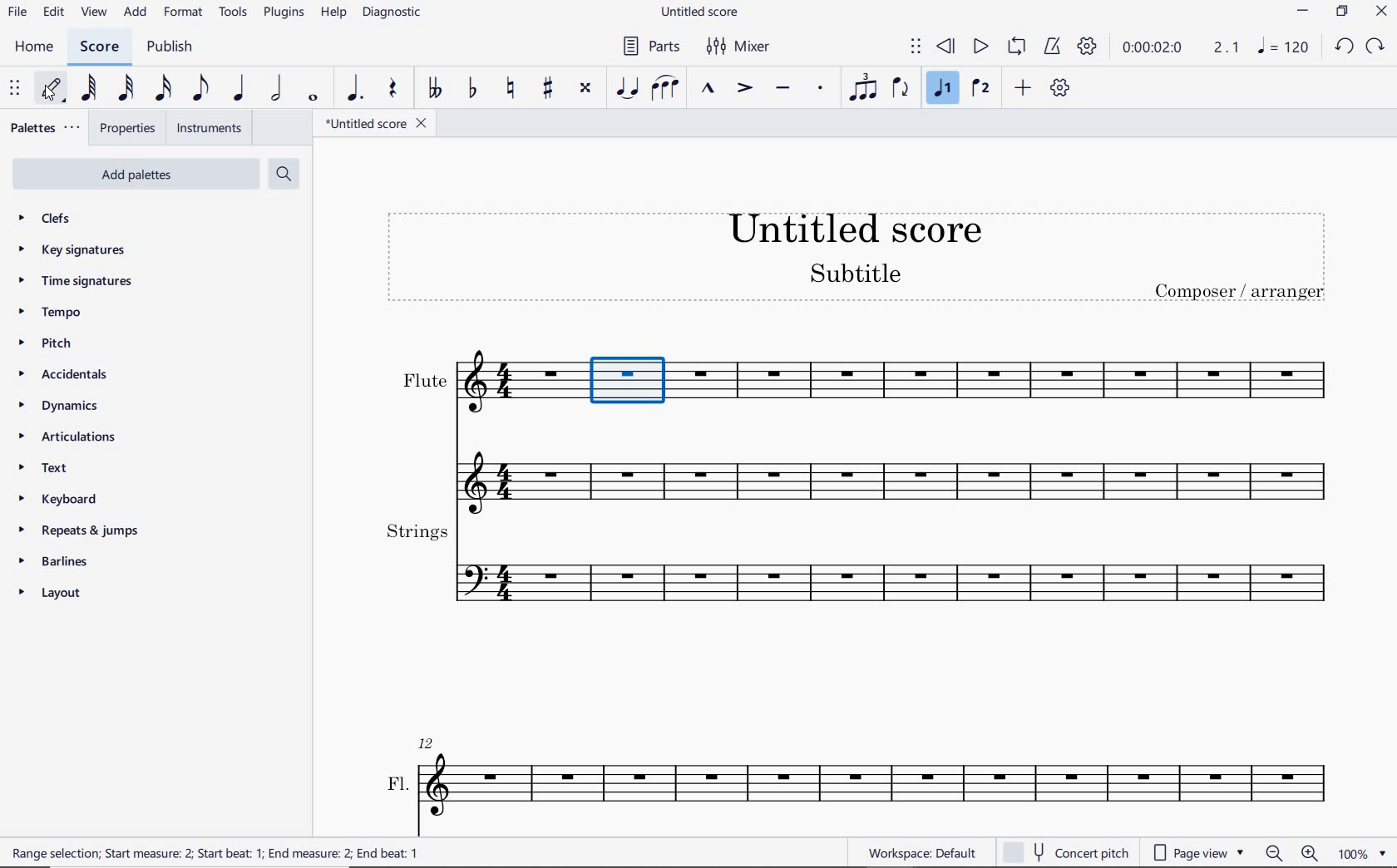 The width and height of the screenshot is (1397, 868). I want to click on zoom out or zoom in, so click(1295, 854).